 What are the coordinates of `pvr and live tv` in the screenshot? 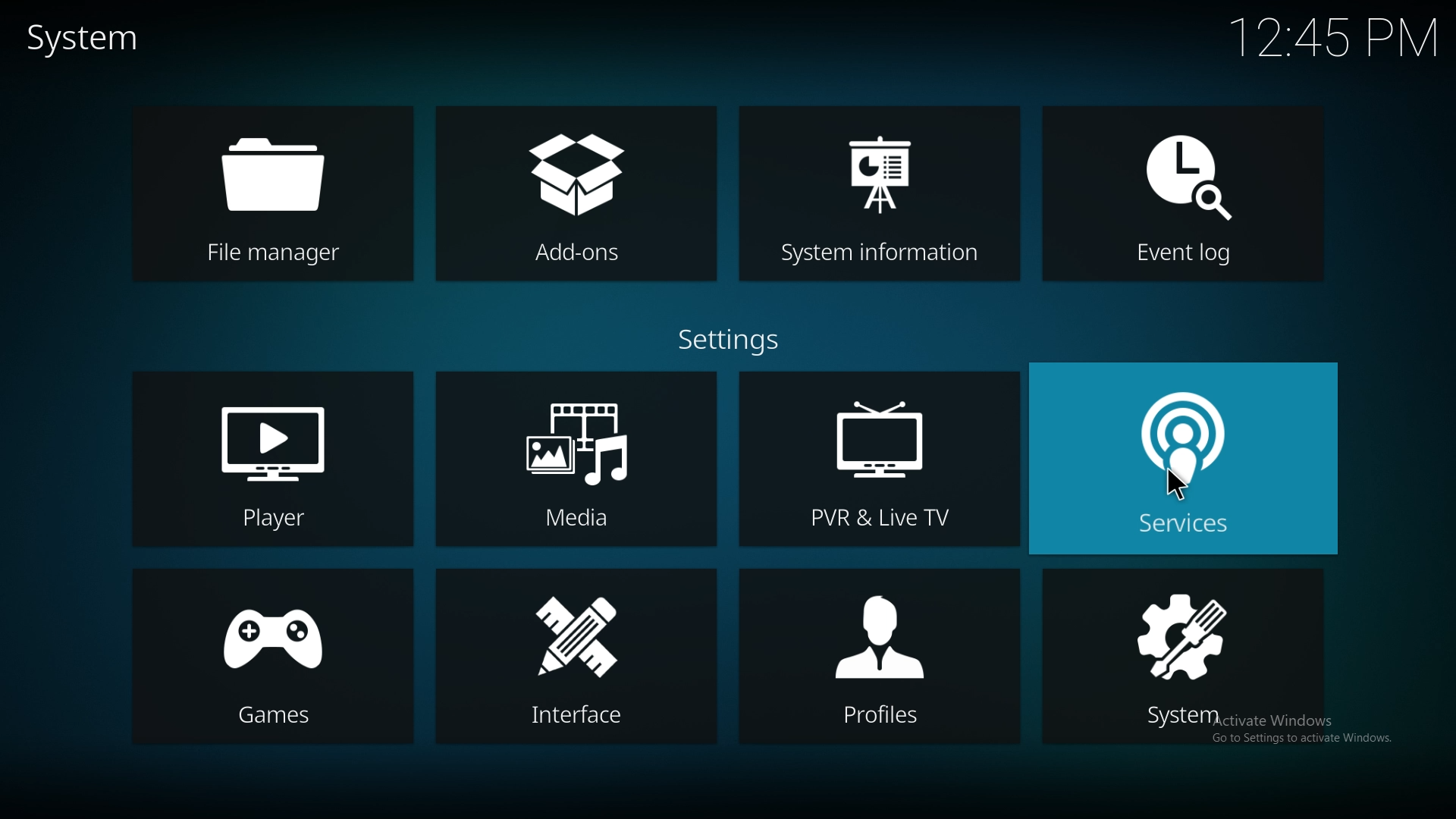 It's located at (879, 460).